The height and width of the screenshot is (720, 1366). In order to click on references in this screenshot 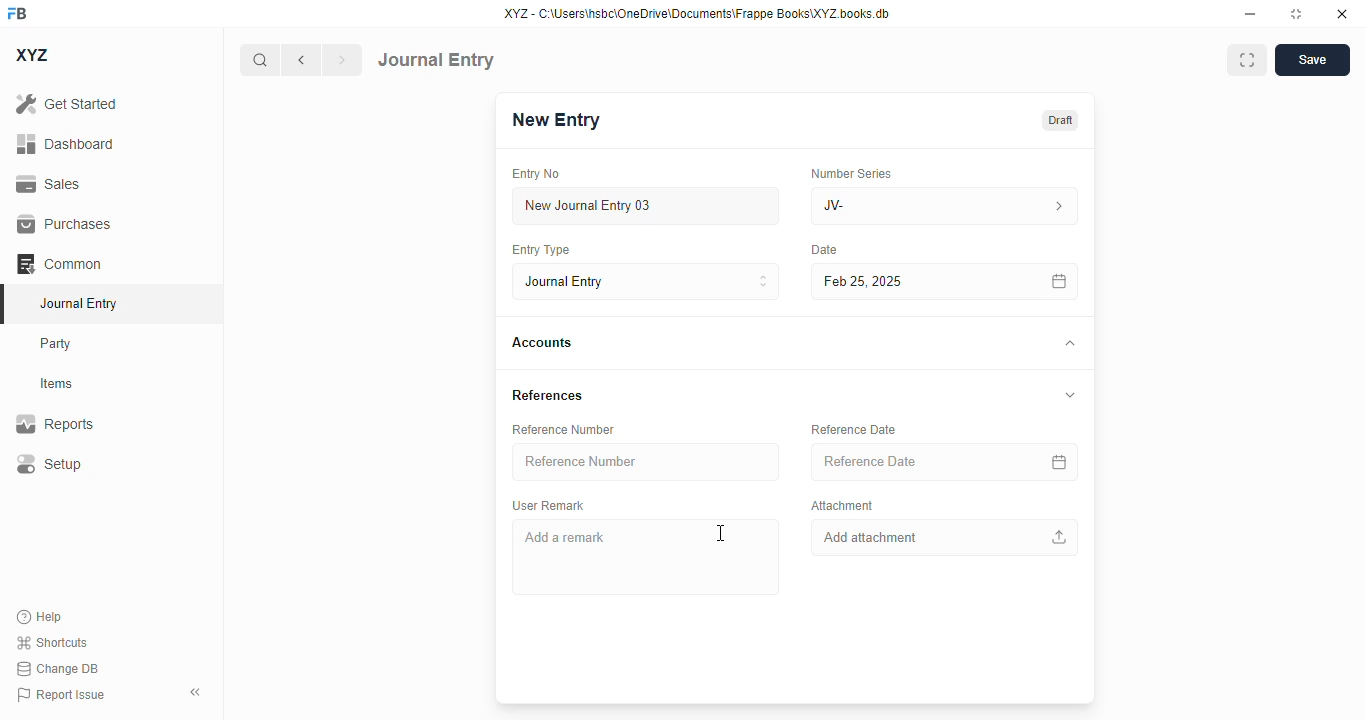, I will do `click(548, 394)`.